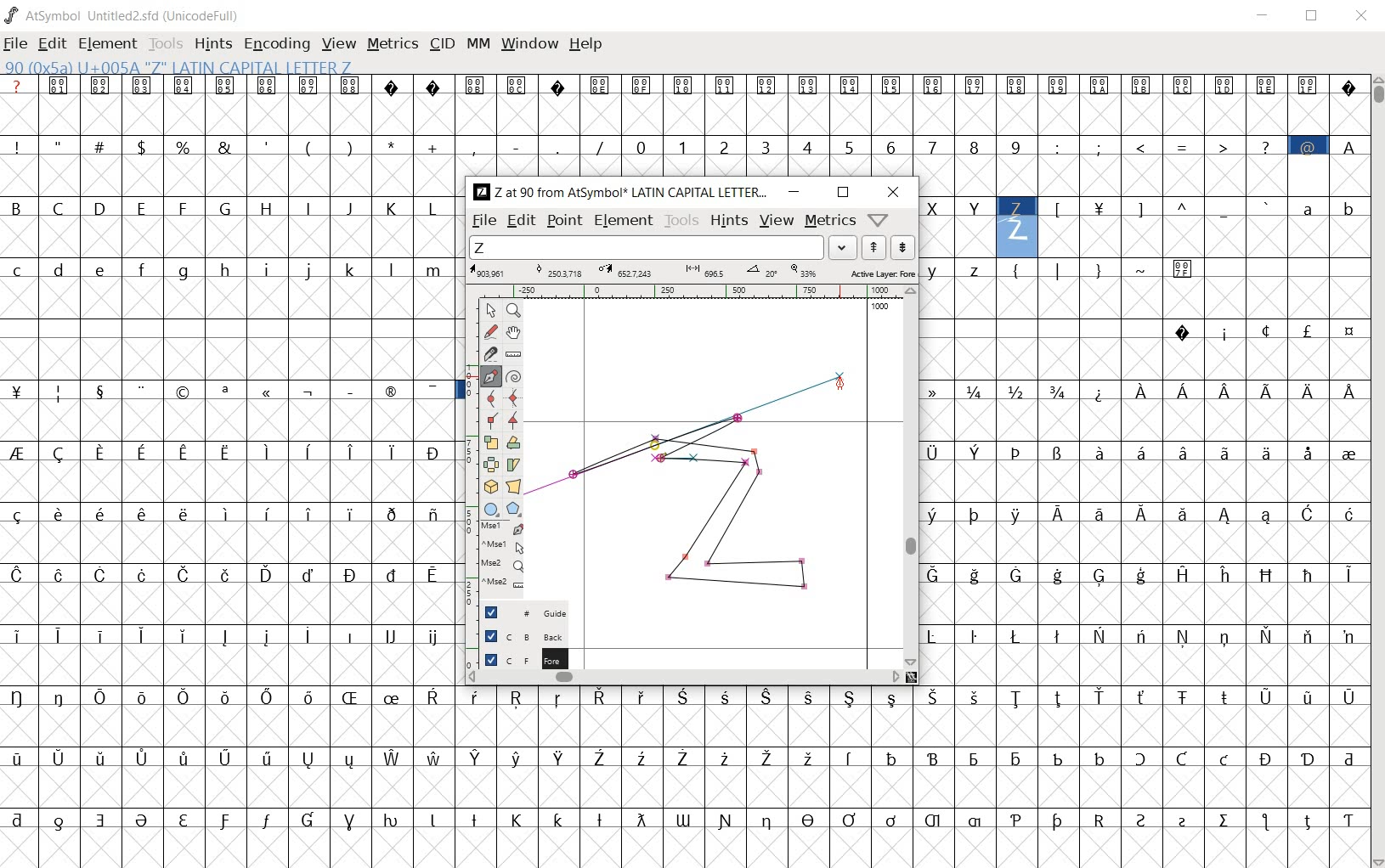  I want to click on element, so click(110, 42).